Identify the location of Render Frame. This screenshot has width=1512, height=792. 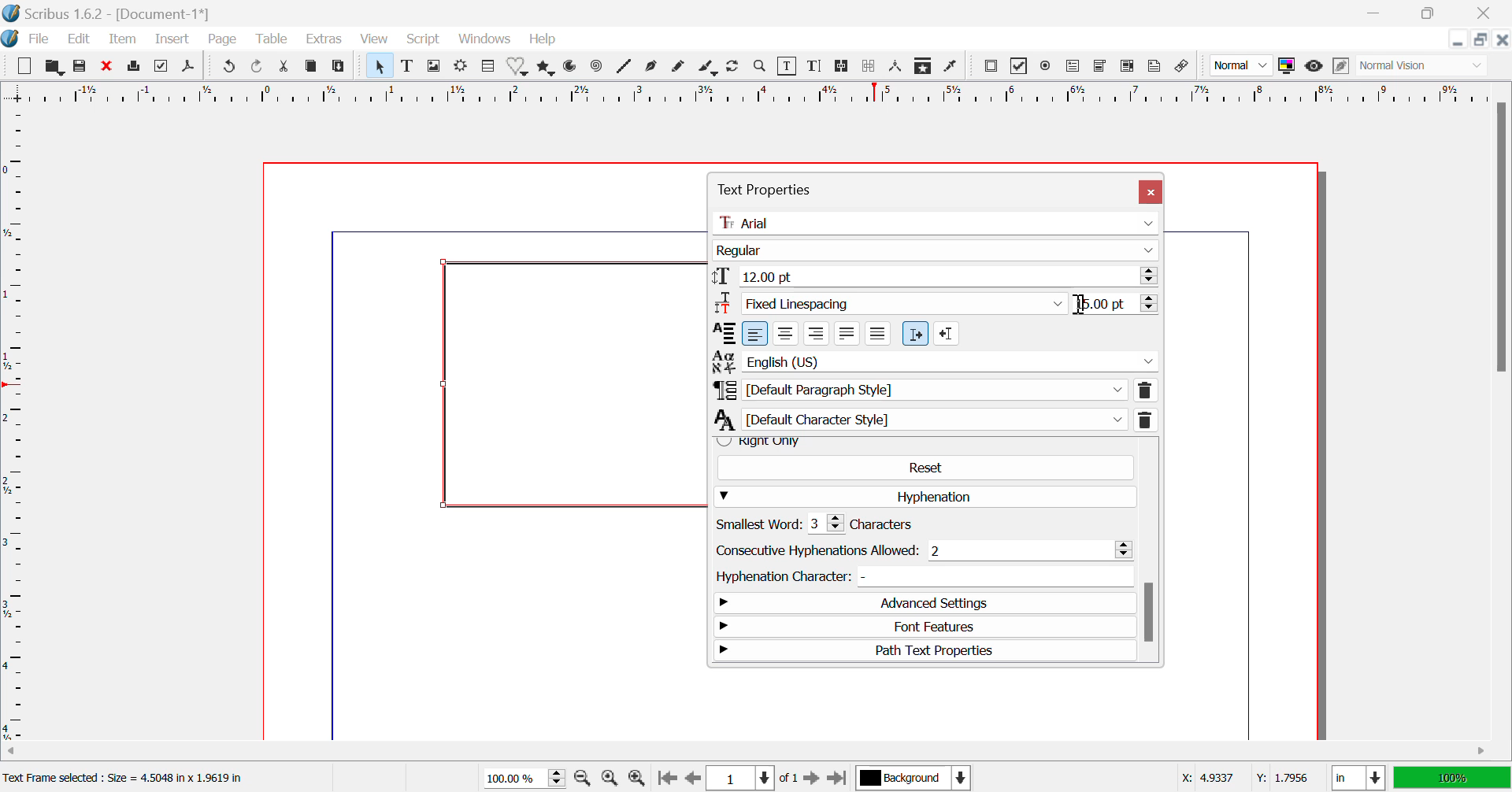
(463, 66).